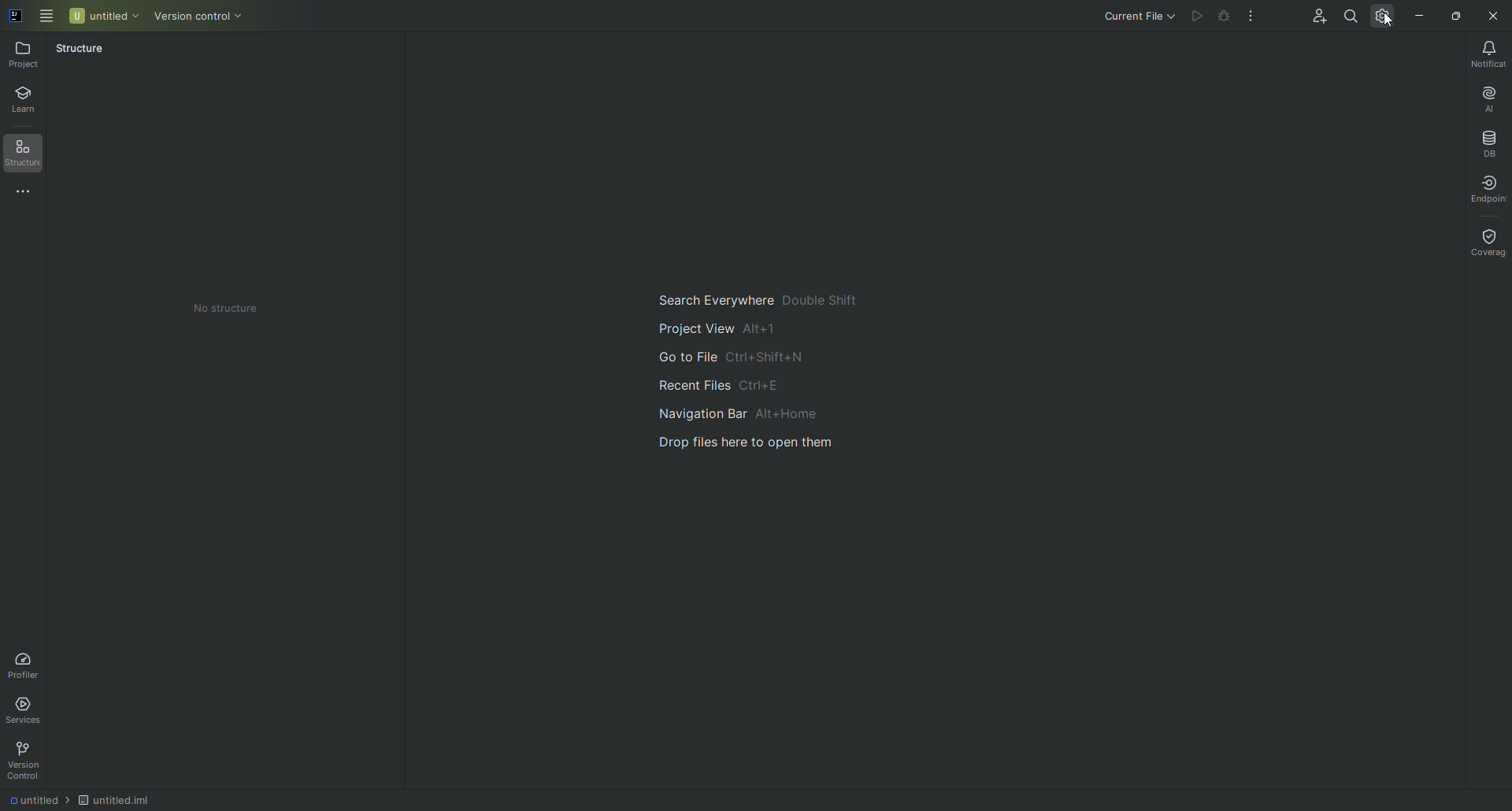 This screenshot has width=1512, height=811. What do you see at coordinates (50, 15) in the screenshot?
I see `Main Menu` at bounding box center [50, 15].